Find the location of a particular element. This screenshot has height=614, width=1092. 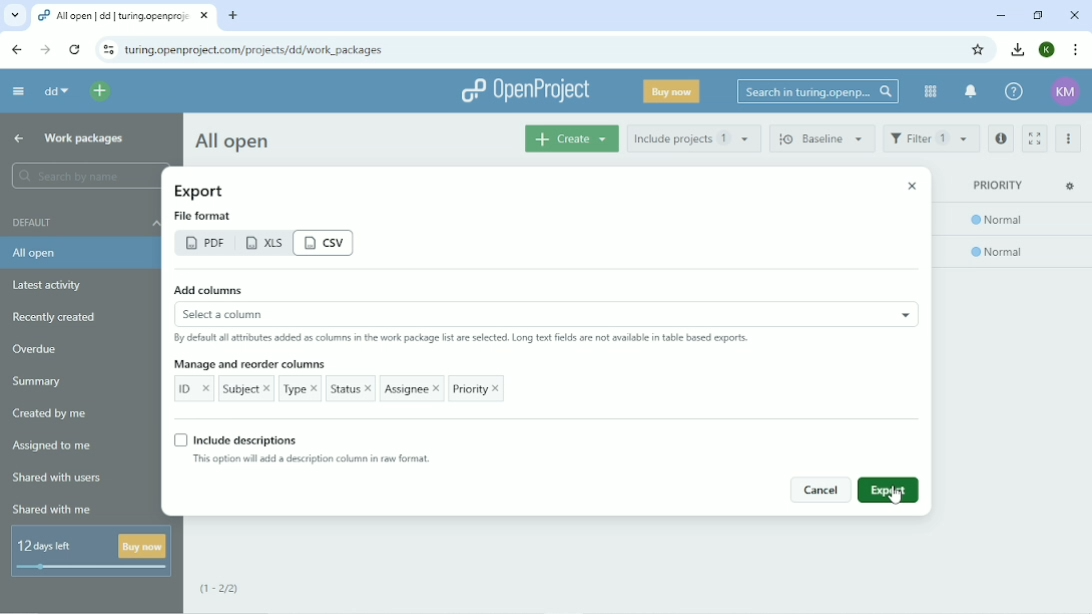

Back is located at coordinates (16, 50).